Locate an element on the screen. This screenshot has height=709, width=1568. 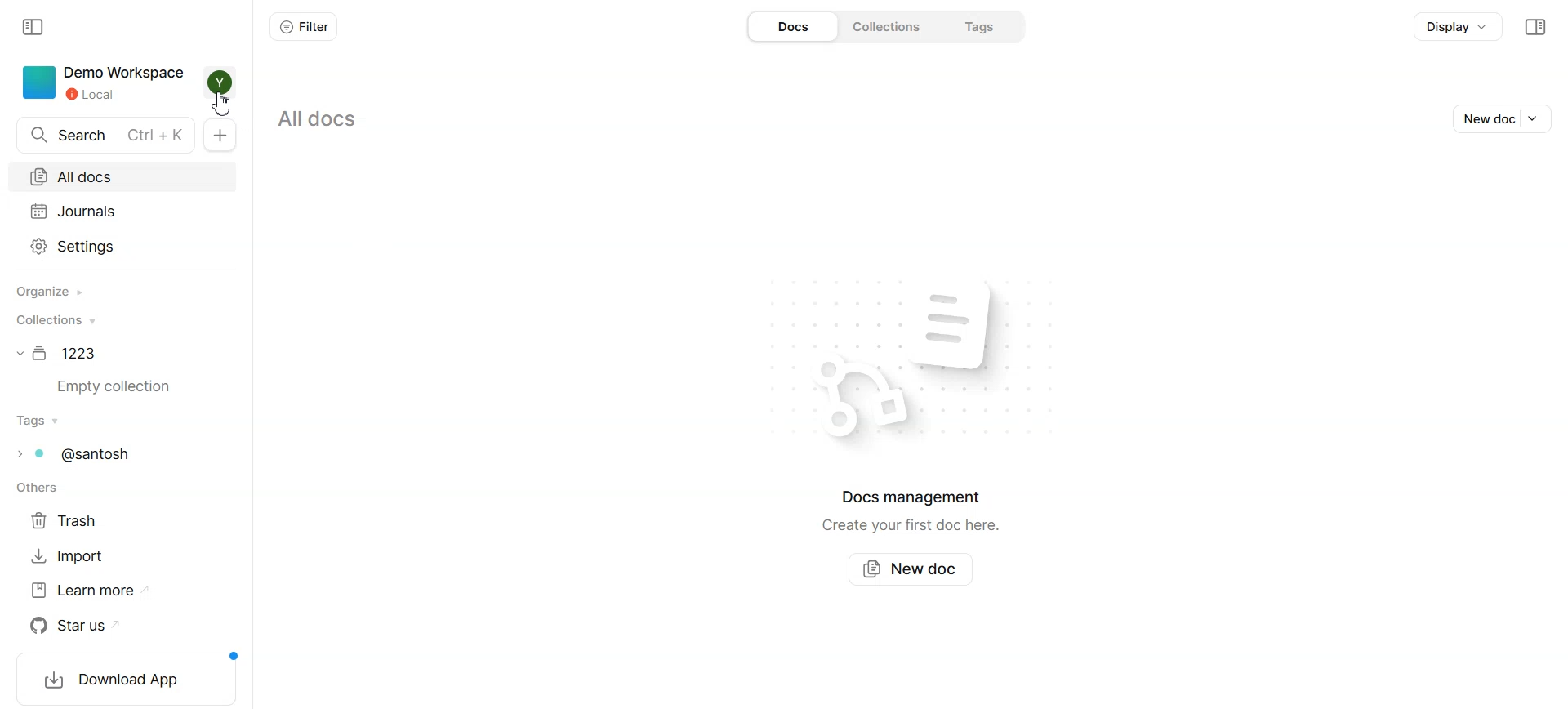
visual element is located at coordinates (856, 401).